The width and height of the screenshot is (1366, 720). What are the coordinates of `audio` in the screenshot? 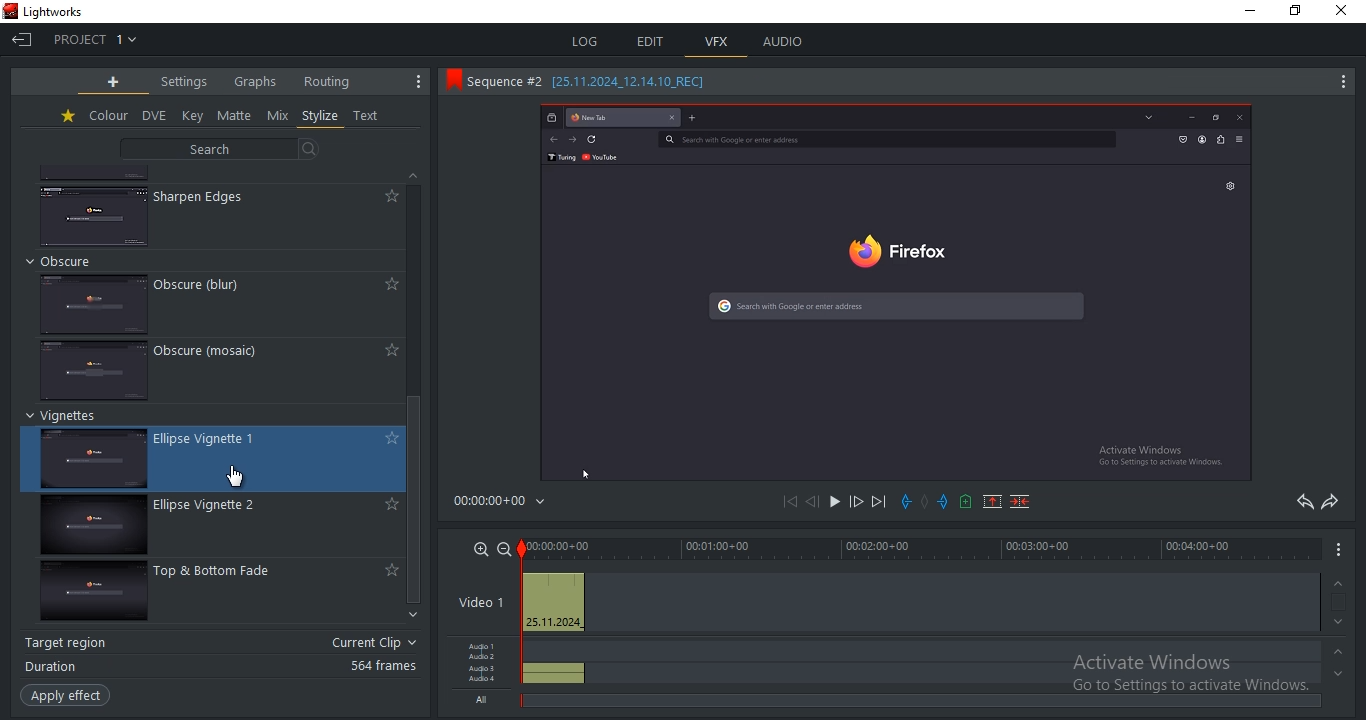 It's located at (782, 40).